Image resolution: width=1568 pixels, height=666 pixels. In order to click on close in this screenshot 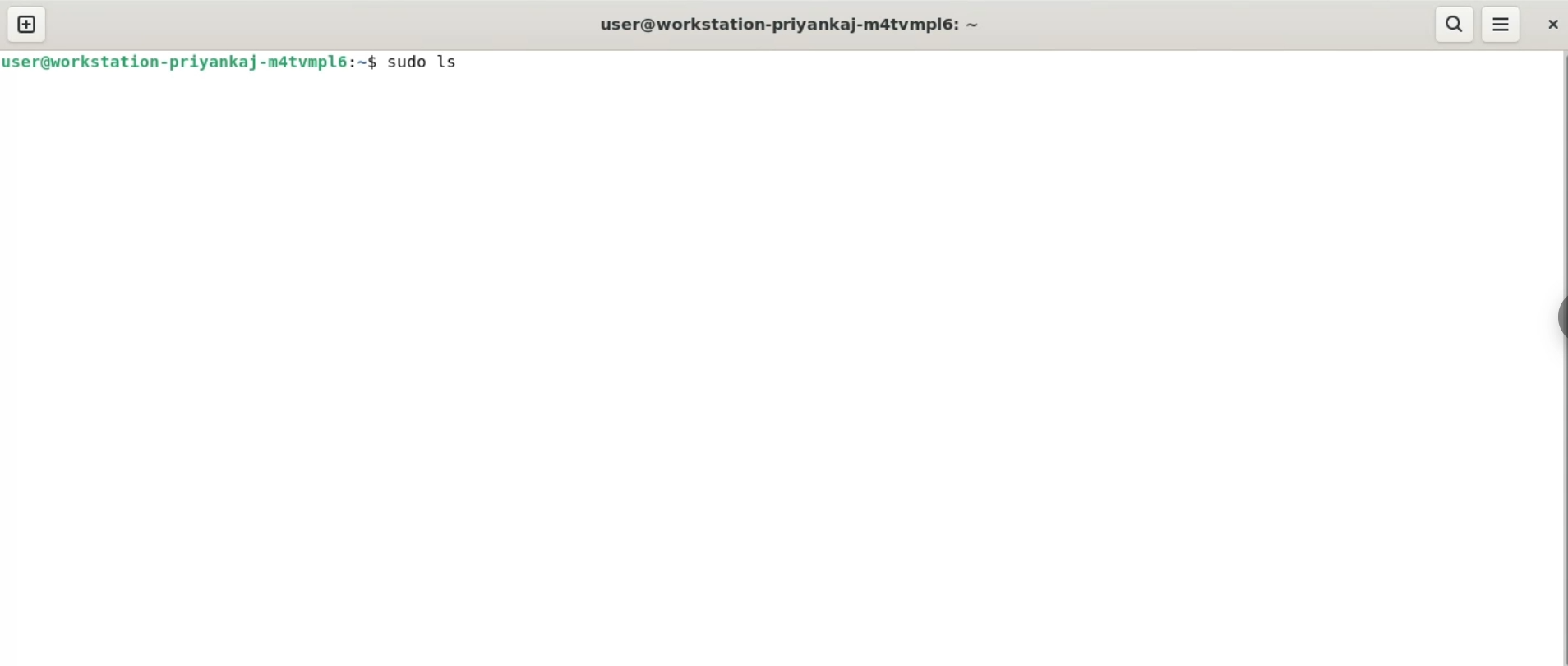, I will do `click(1549, 24)`.